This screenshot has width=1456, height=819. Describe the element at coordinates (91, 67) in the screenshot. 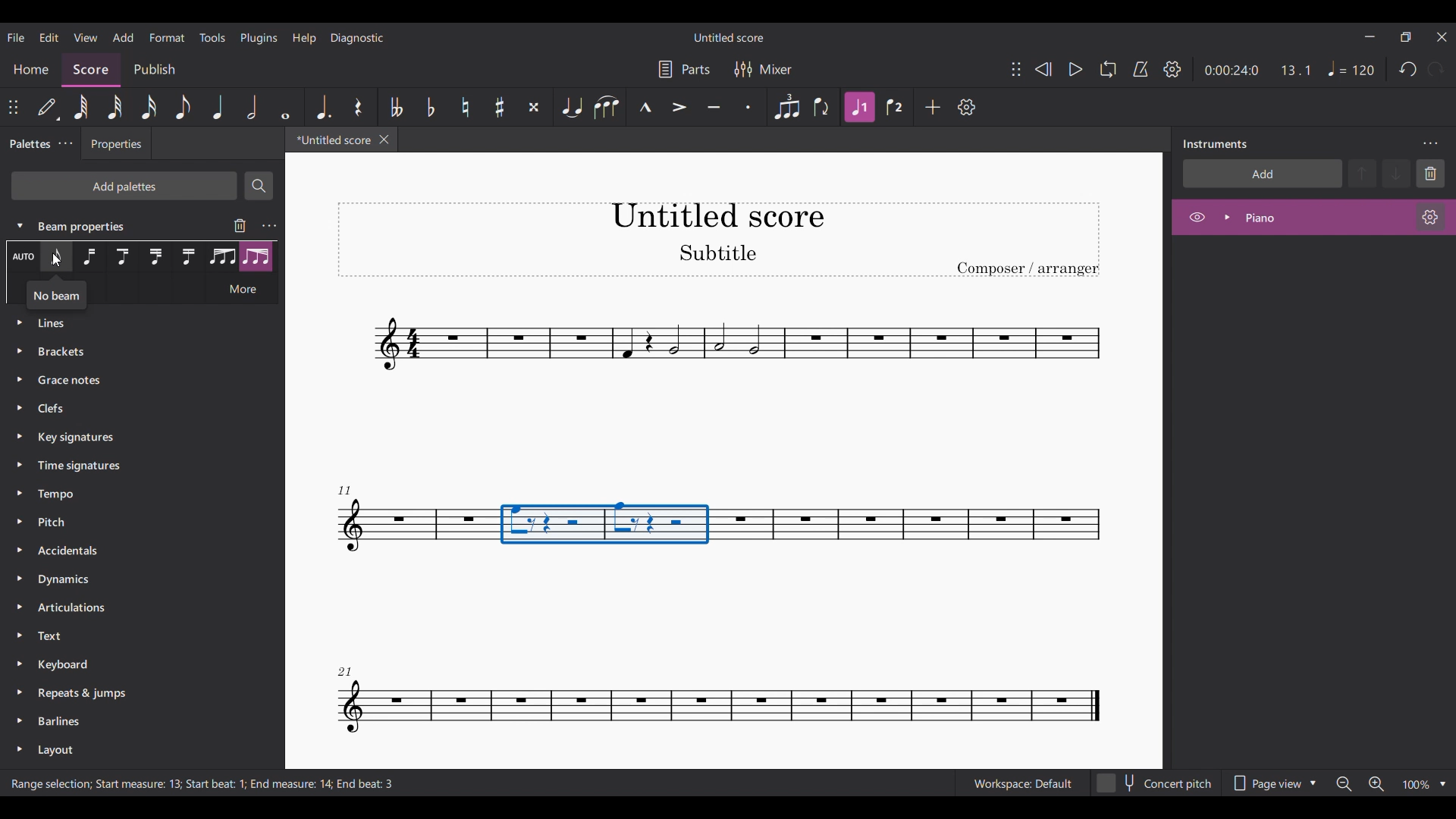

I see `Score, current section highlighted` at that location.